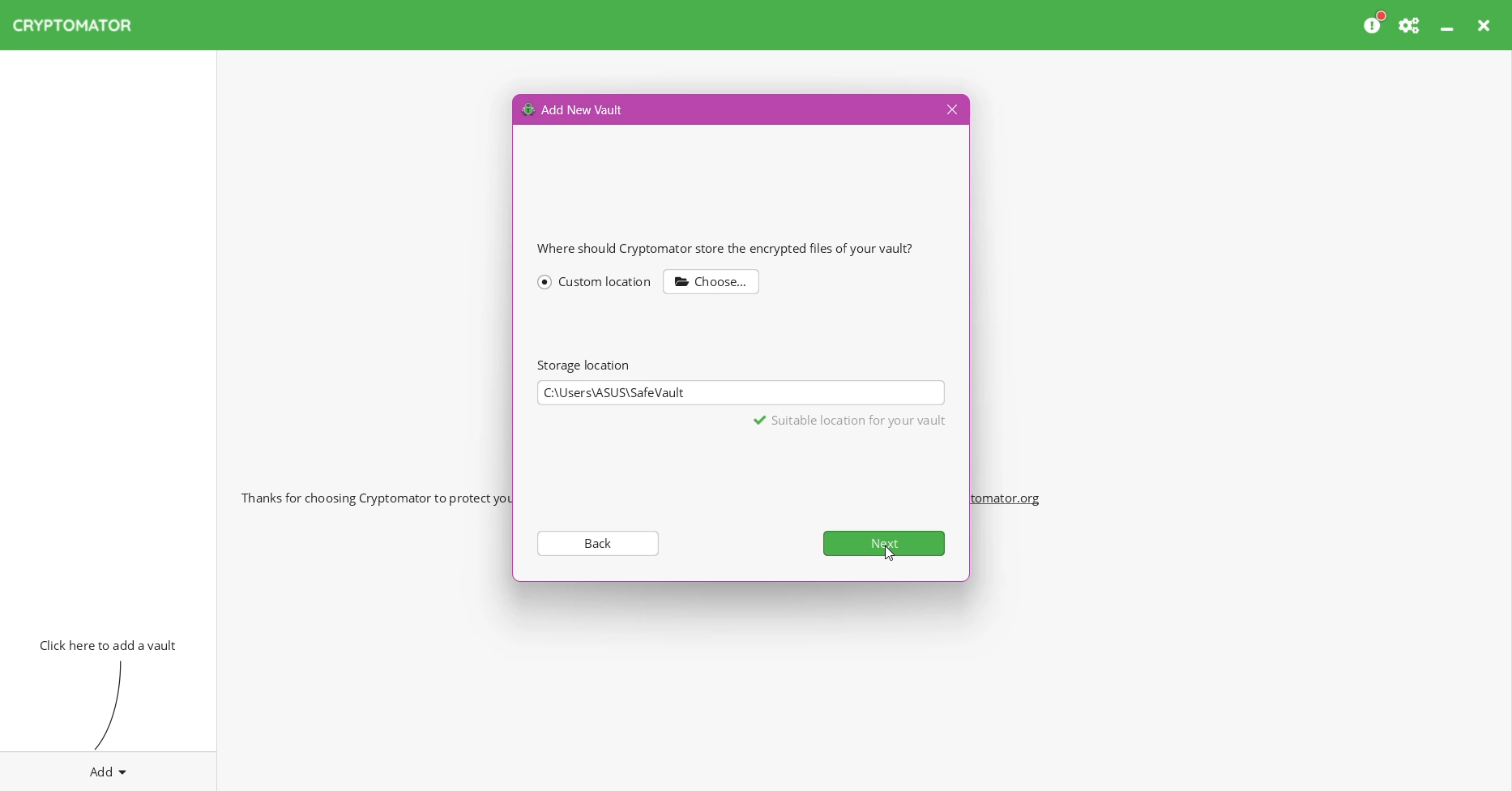 The height and width of the screenshot is (791, 1512). Describe the element at coordinates (105, 643) in the screenshot. I see `Click here to add vault` at that location.